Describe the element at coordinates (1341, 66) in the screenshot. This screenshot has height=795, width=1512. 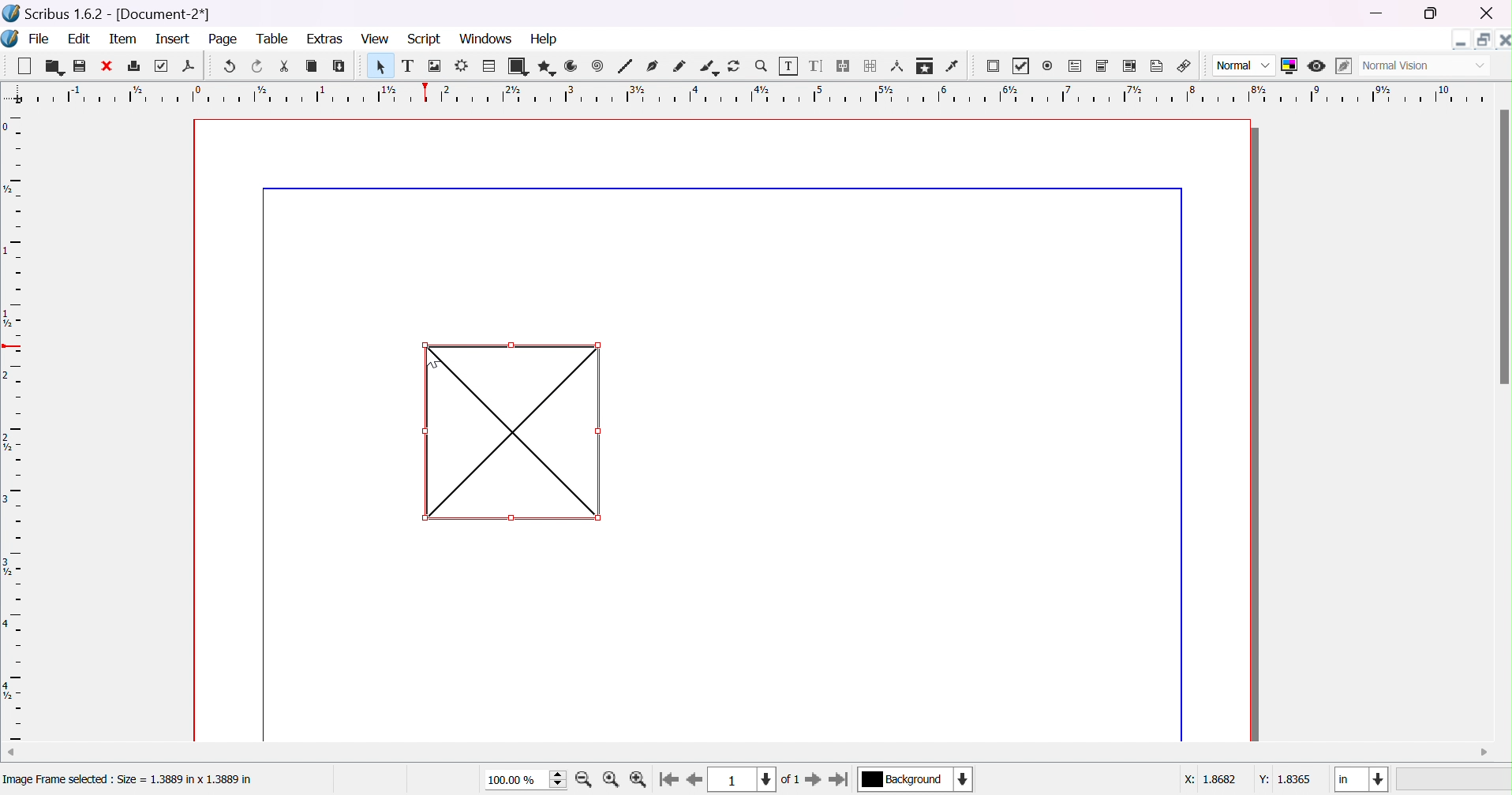
I see `edit in preview mode` at that location.